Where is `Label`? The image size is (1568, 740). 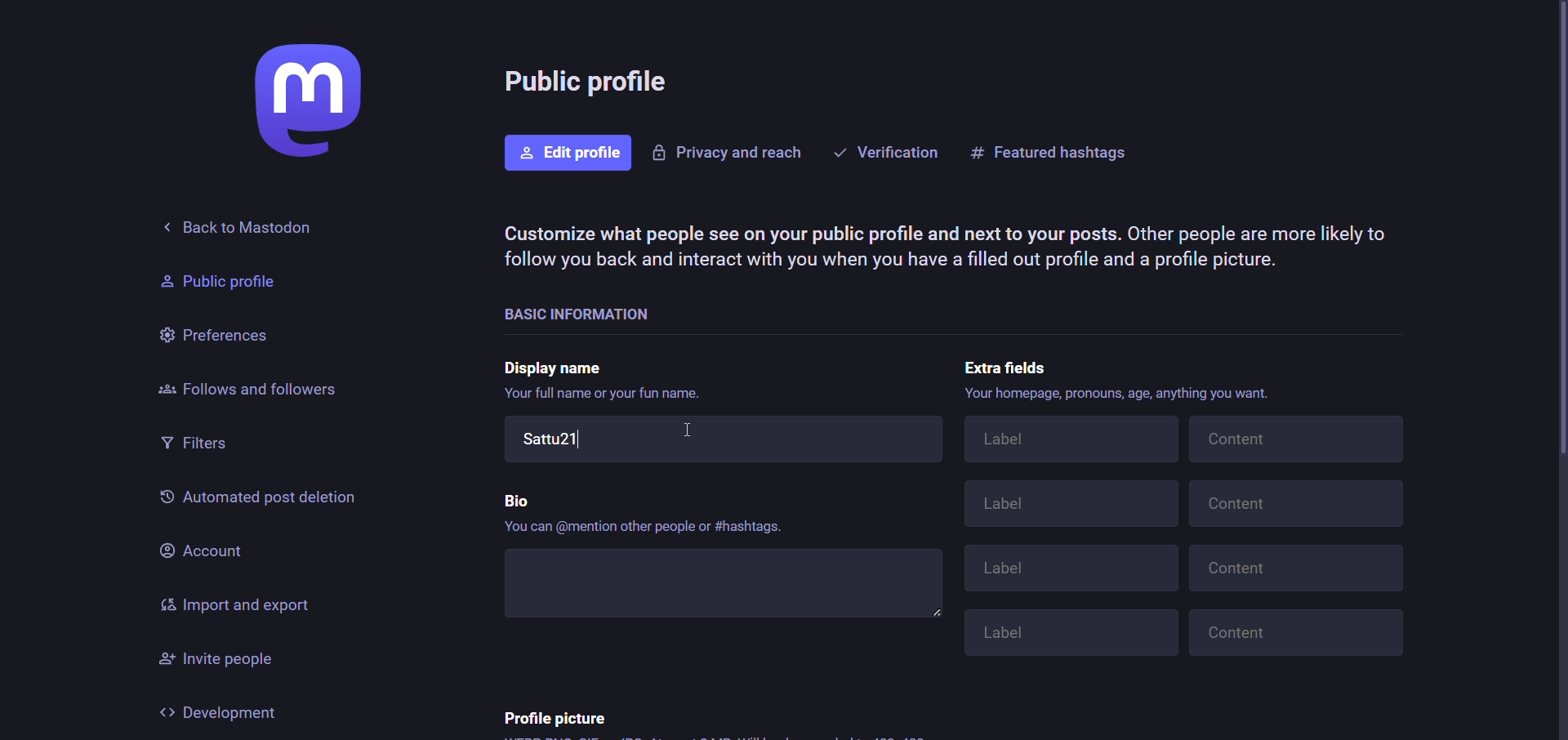
Label is located at coordinates (1071, 506).